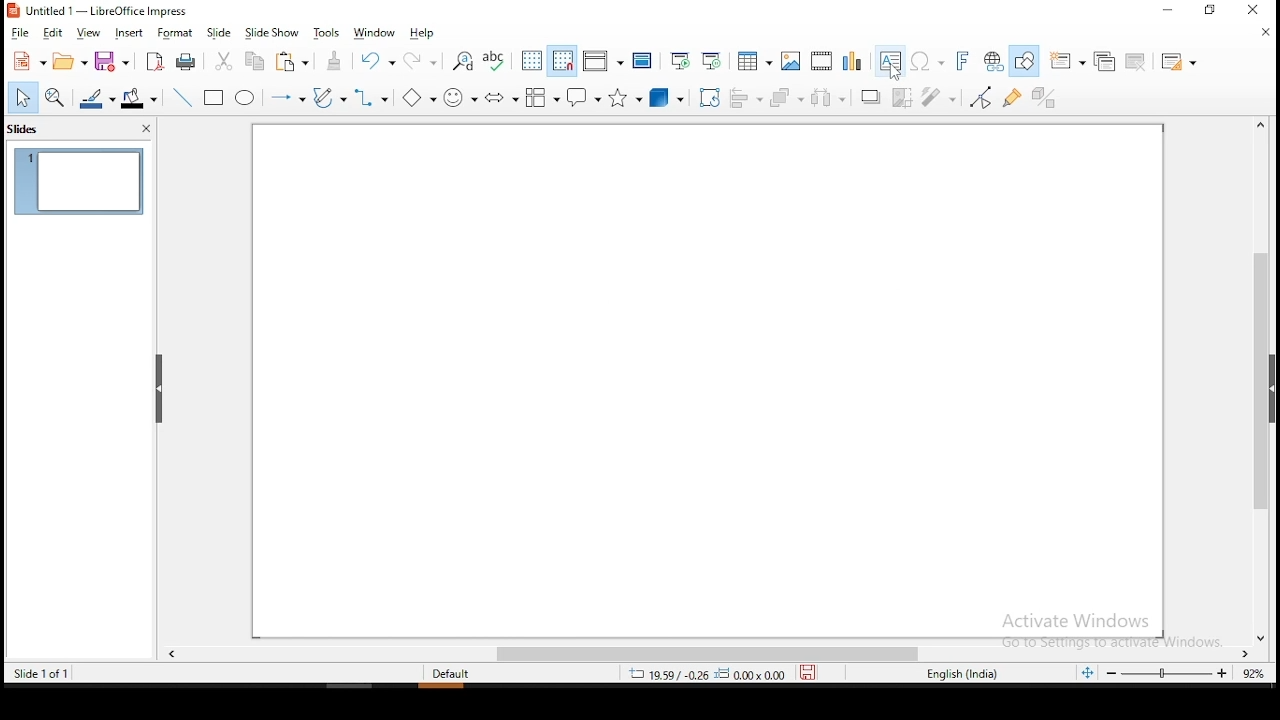  Describe the element at coordinates (247, 98) in the screenshot. I see `ellipse` at that location.